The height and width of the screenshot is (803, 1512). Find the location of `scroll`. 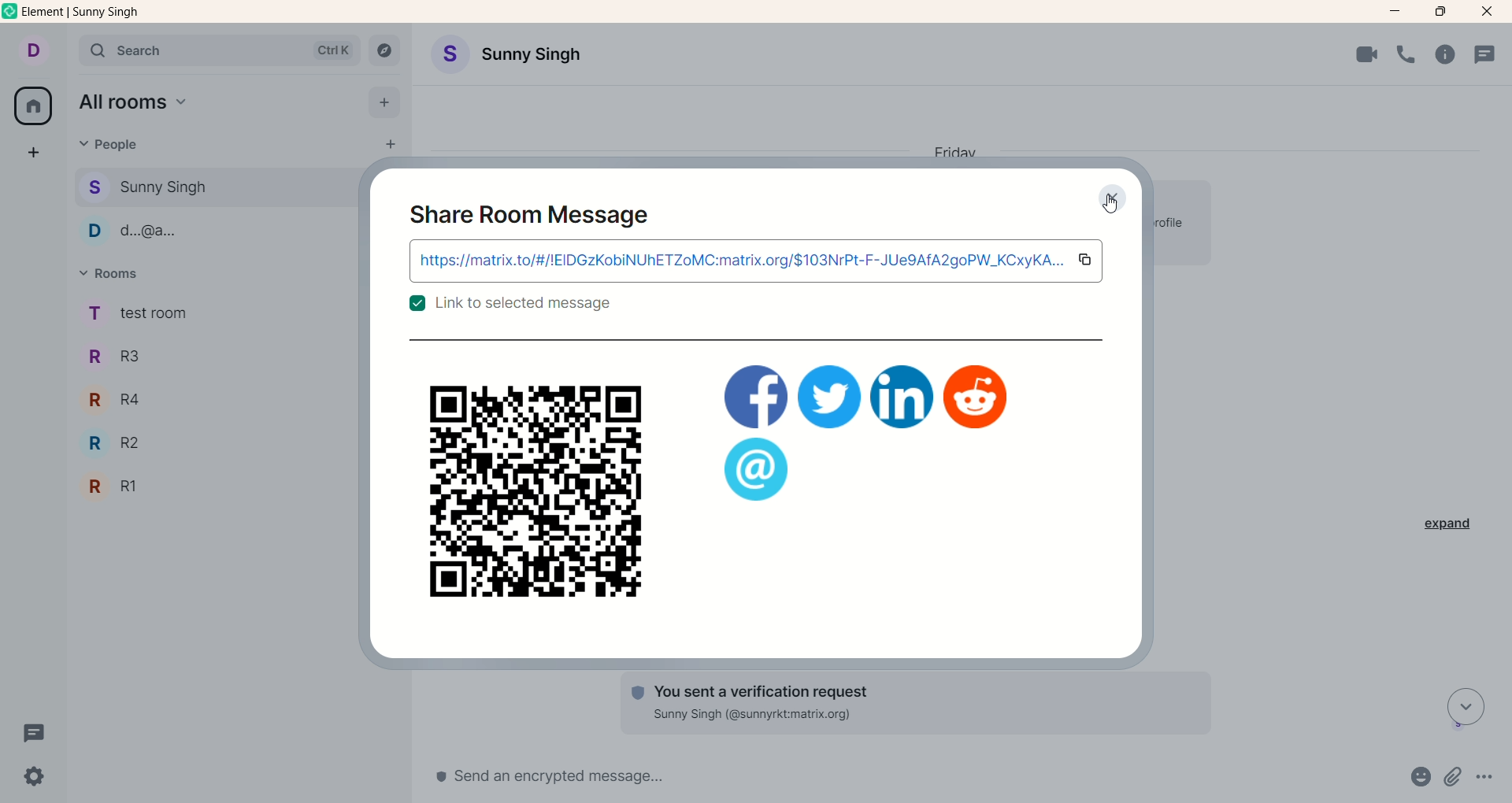

scroll is located at coordinates (1462, 708).